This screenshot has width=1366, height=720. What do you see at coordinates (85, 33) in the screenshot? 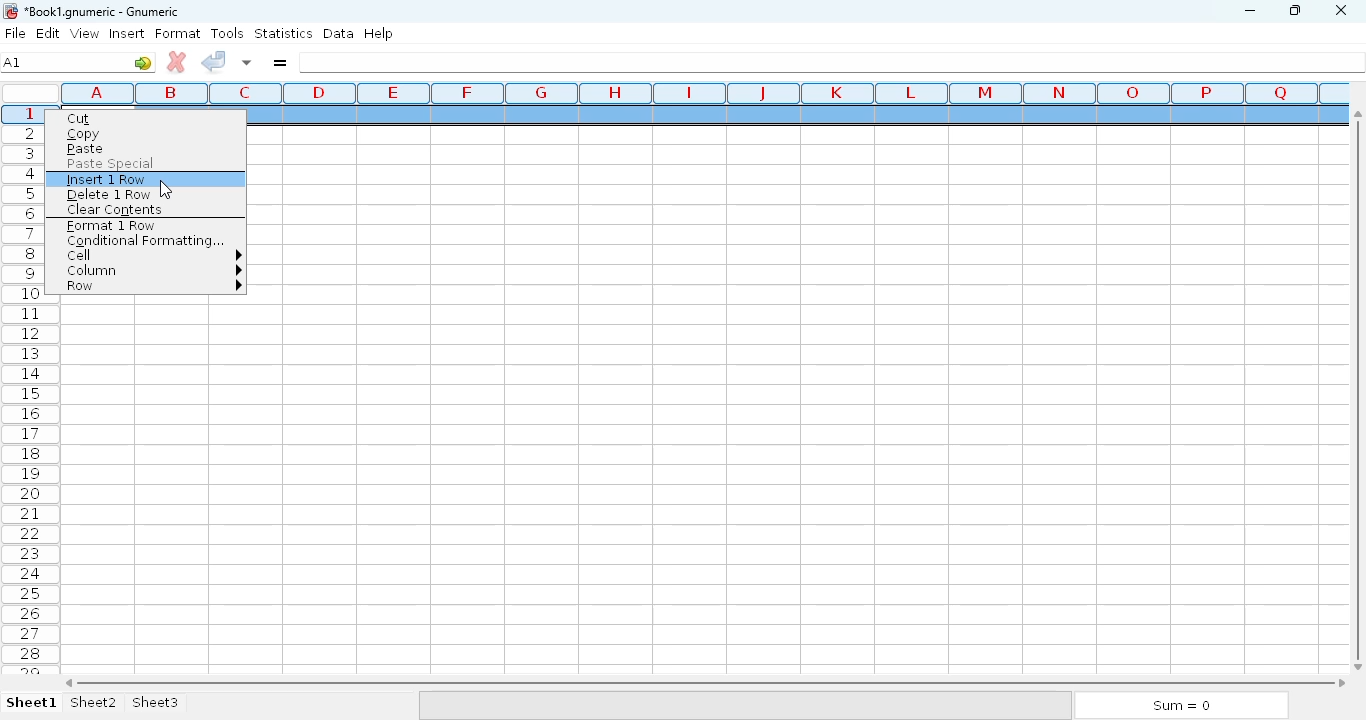
I see `view` at bounding box center [85, 33].